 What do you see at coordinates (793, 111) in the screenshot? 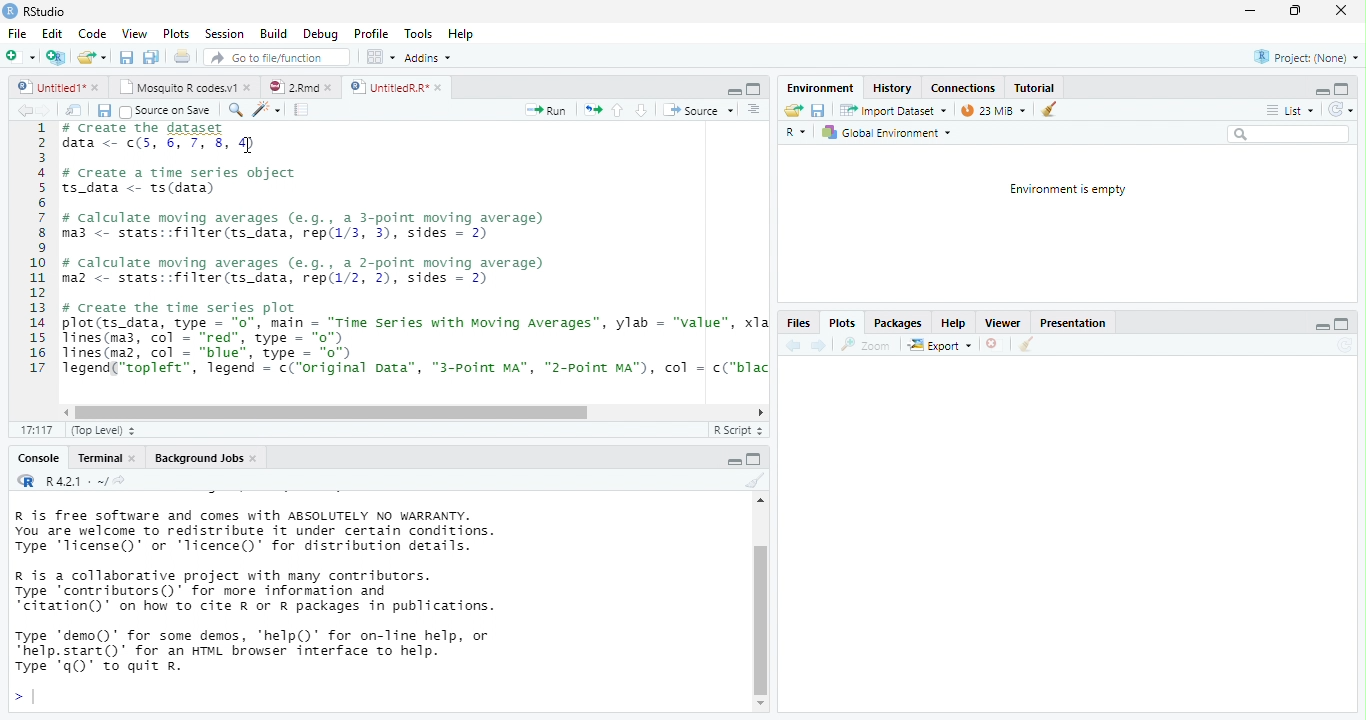
I see `Load workspace` at bounding box center [793, 111].